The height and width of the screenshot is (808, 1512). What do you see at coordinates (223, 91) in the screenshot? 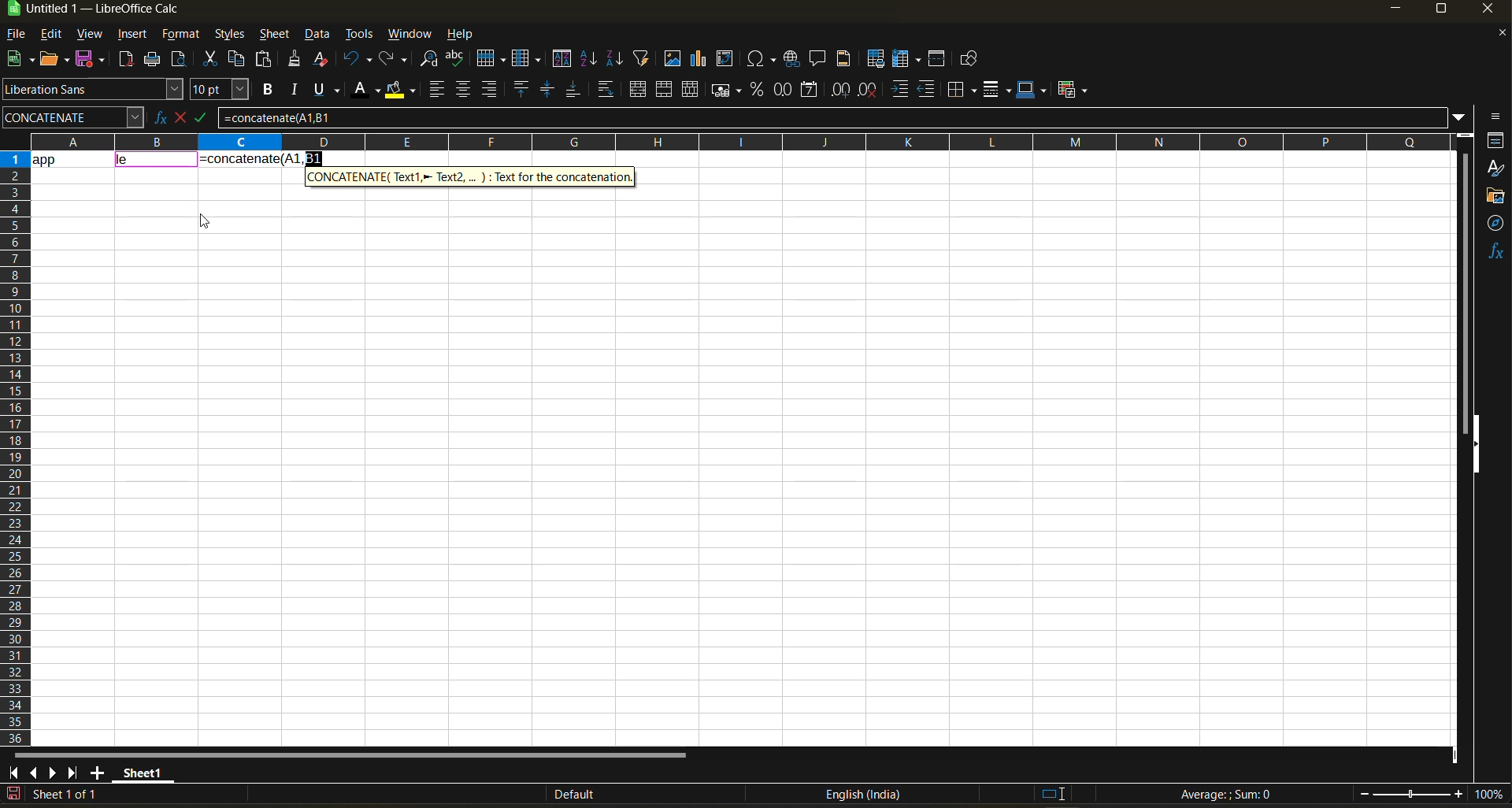
I see `font size` at bounding box center [223, 91].